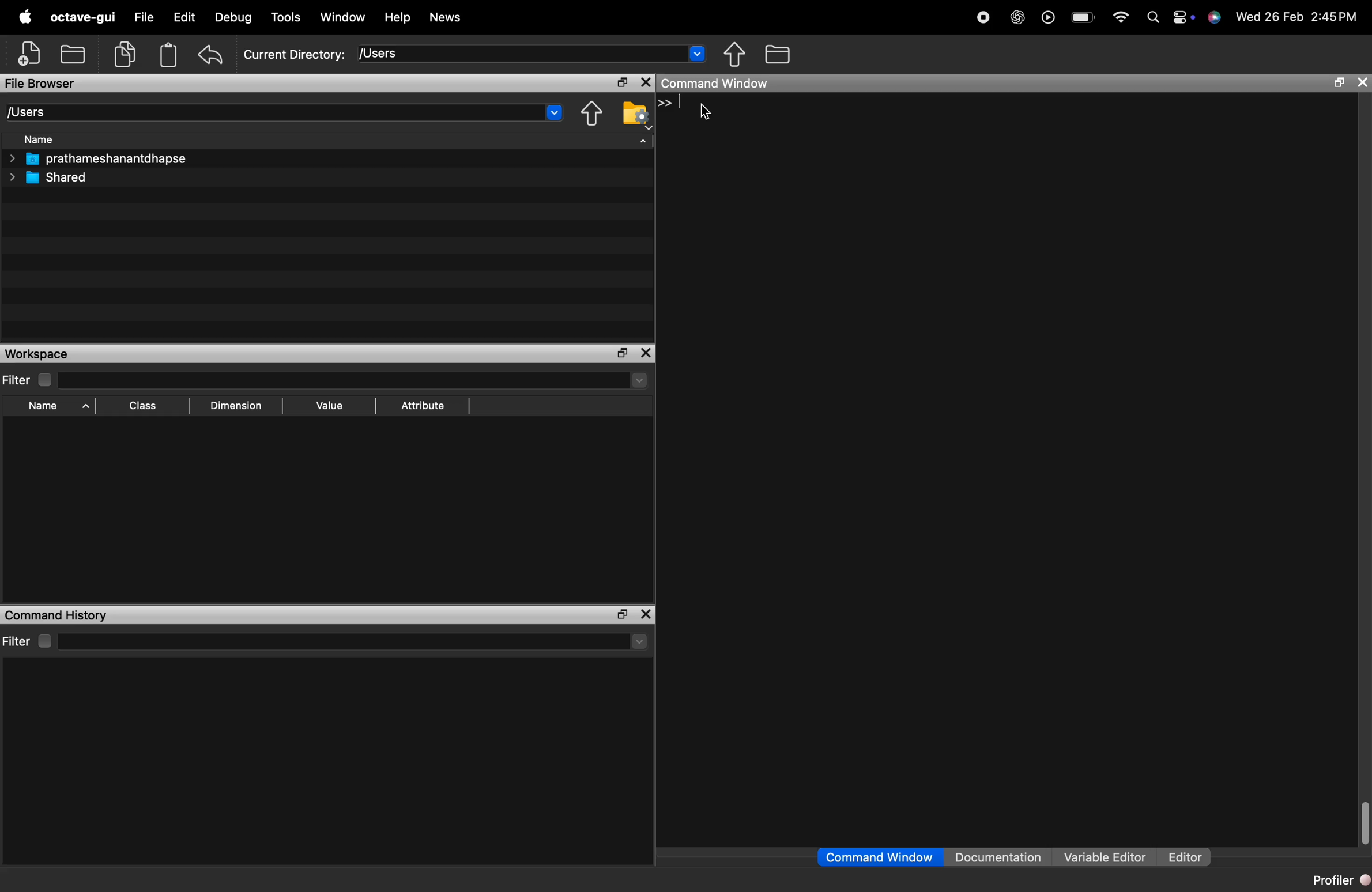 Image resolution: width=1372 pixels, height=892 pixels. Describe the element at coordinates (1181, 14) in the screenshot. I see `settings` at that location.